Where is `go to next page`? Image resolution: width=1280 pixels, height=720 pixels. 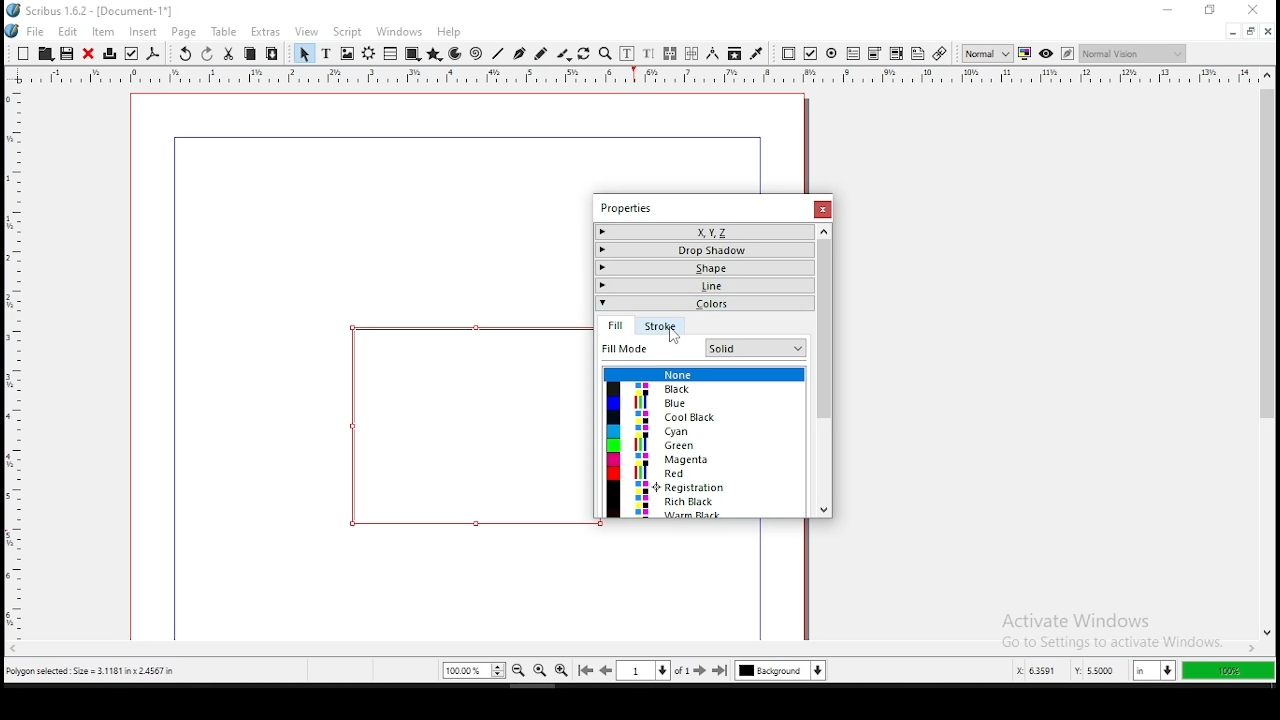 go to next page is located at coordinates (702, 671).